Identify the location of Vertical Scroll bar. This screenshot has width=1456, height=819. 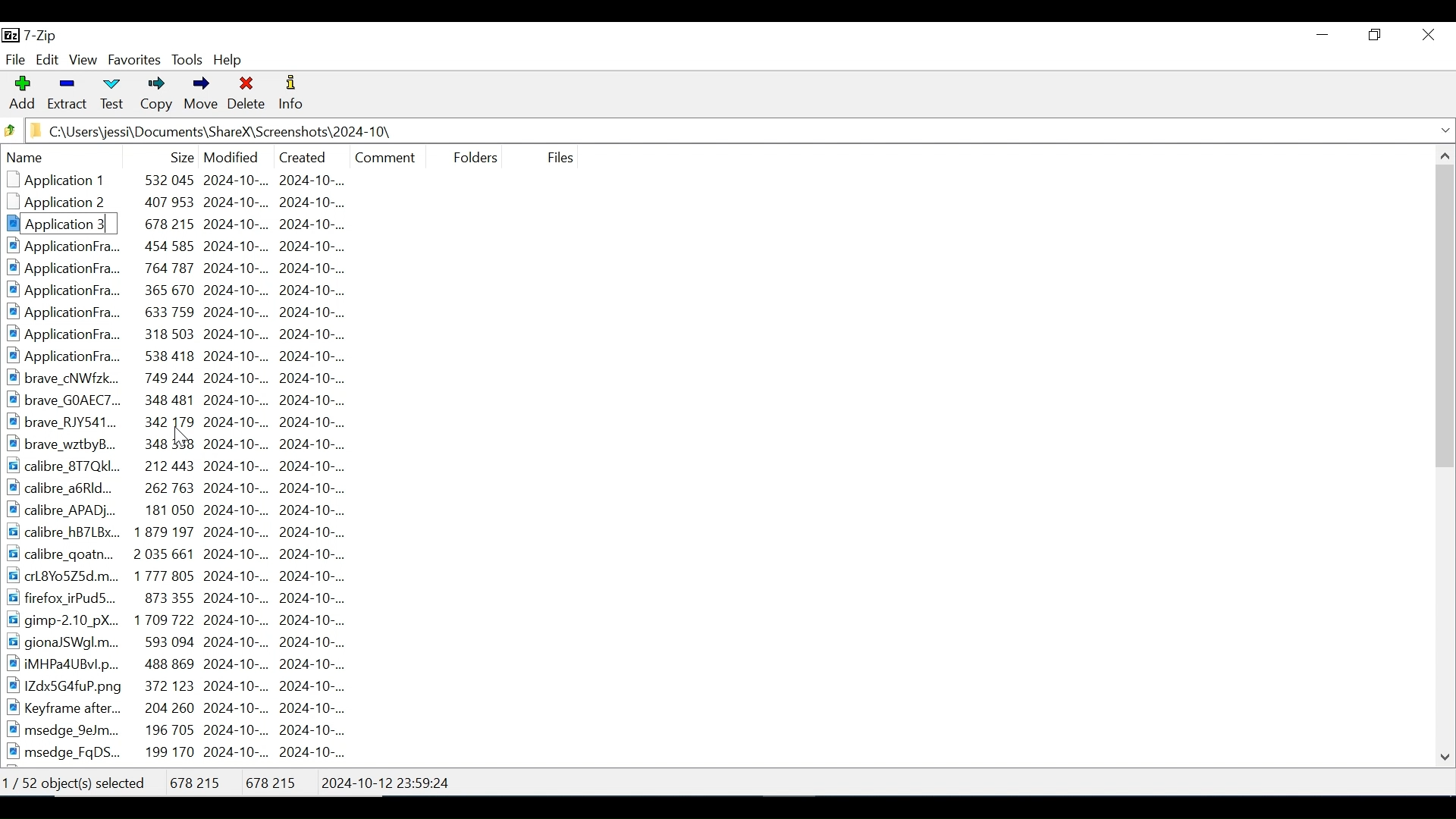
(1445, 316).